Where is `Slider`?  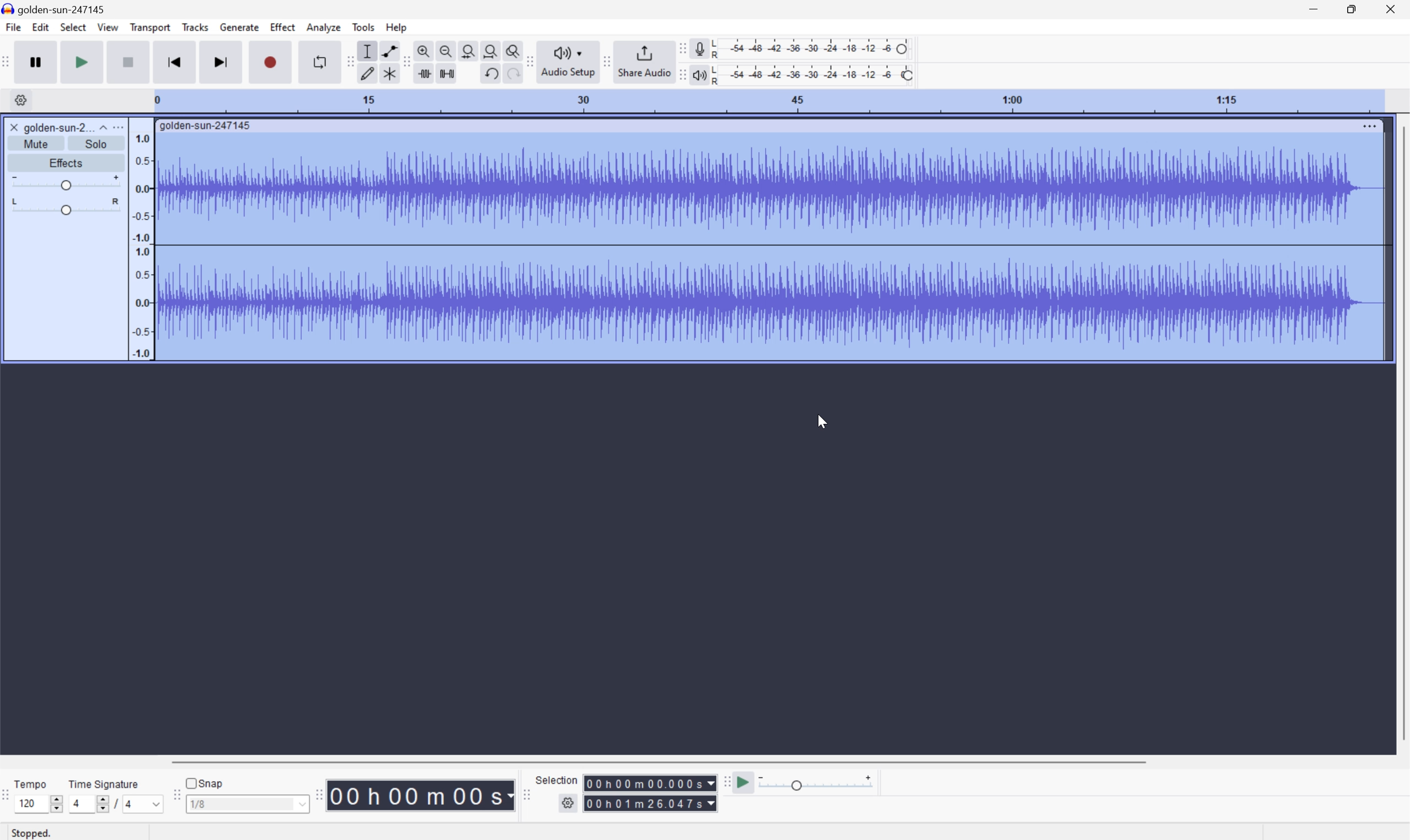
Slider is located at coordinates (66, 183).